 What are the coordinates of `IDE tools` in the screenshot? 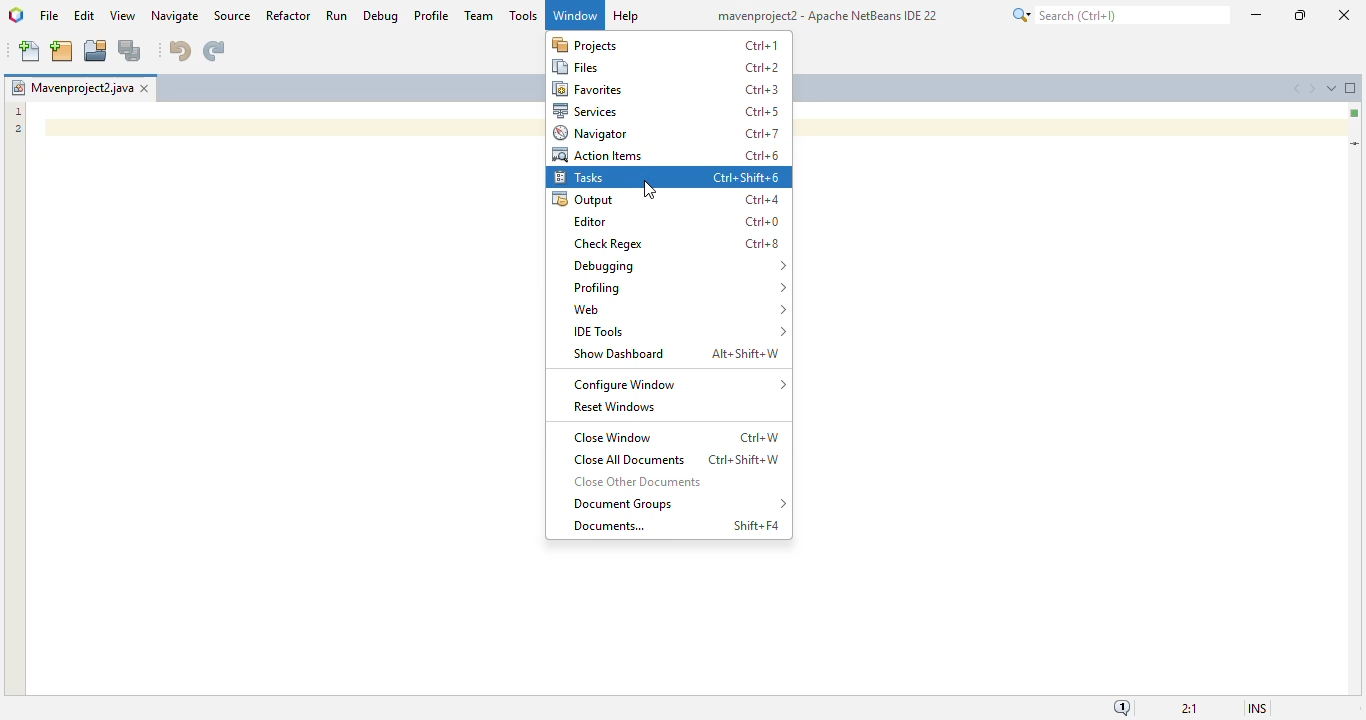 It's located at (680, 332).